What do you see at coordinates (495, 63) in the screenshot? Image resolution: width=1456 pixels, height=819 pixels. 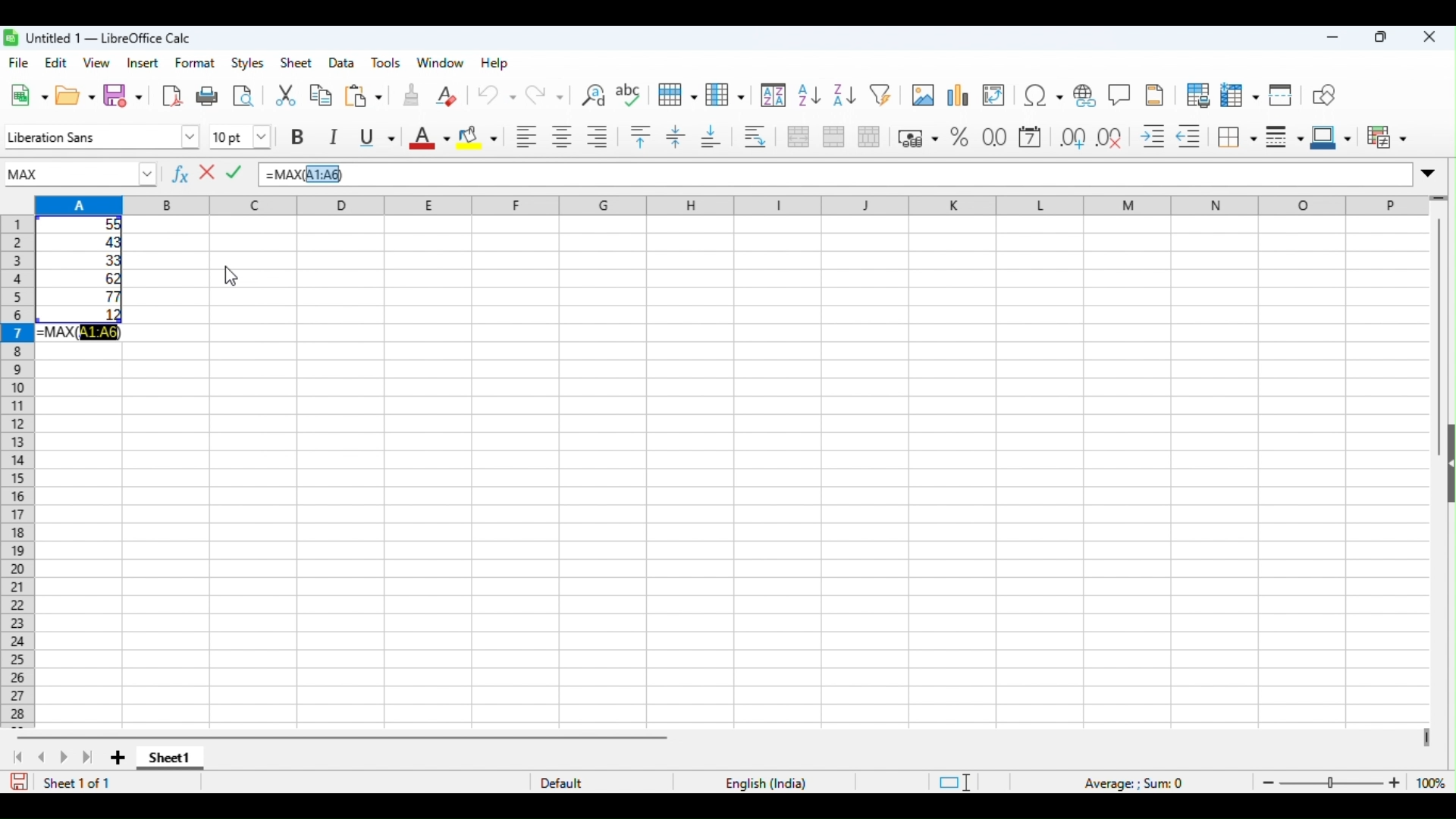 I see `help` at bounding box center [495, 63].